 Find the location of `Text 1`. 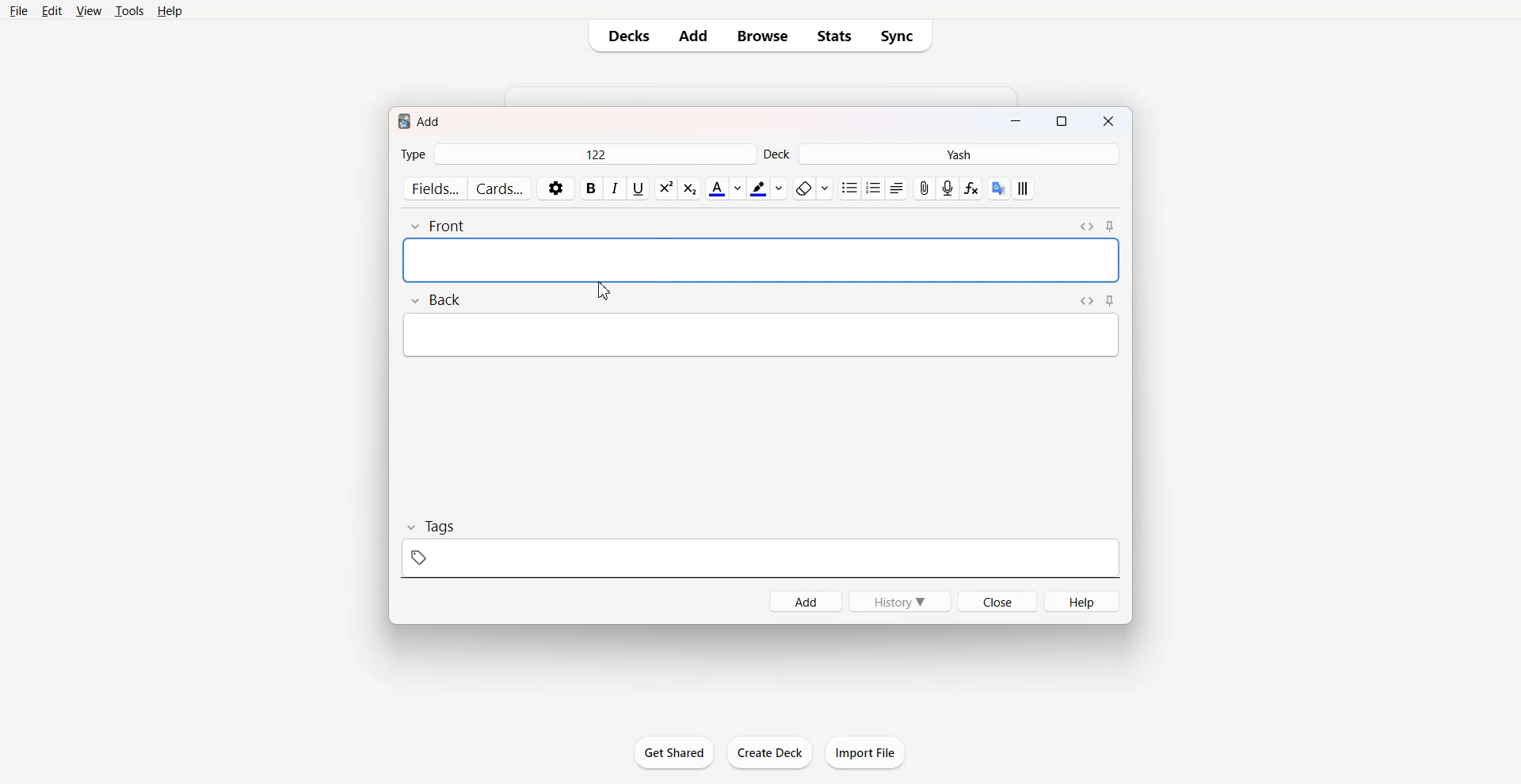

Text 1 is located at coordinates (421, 120).